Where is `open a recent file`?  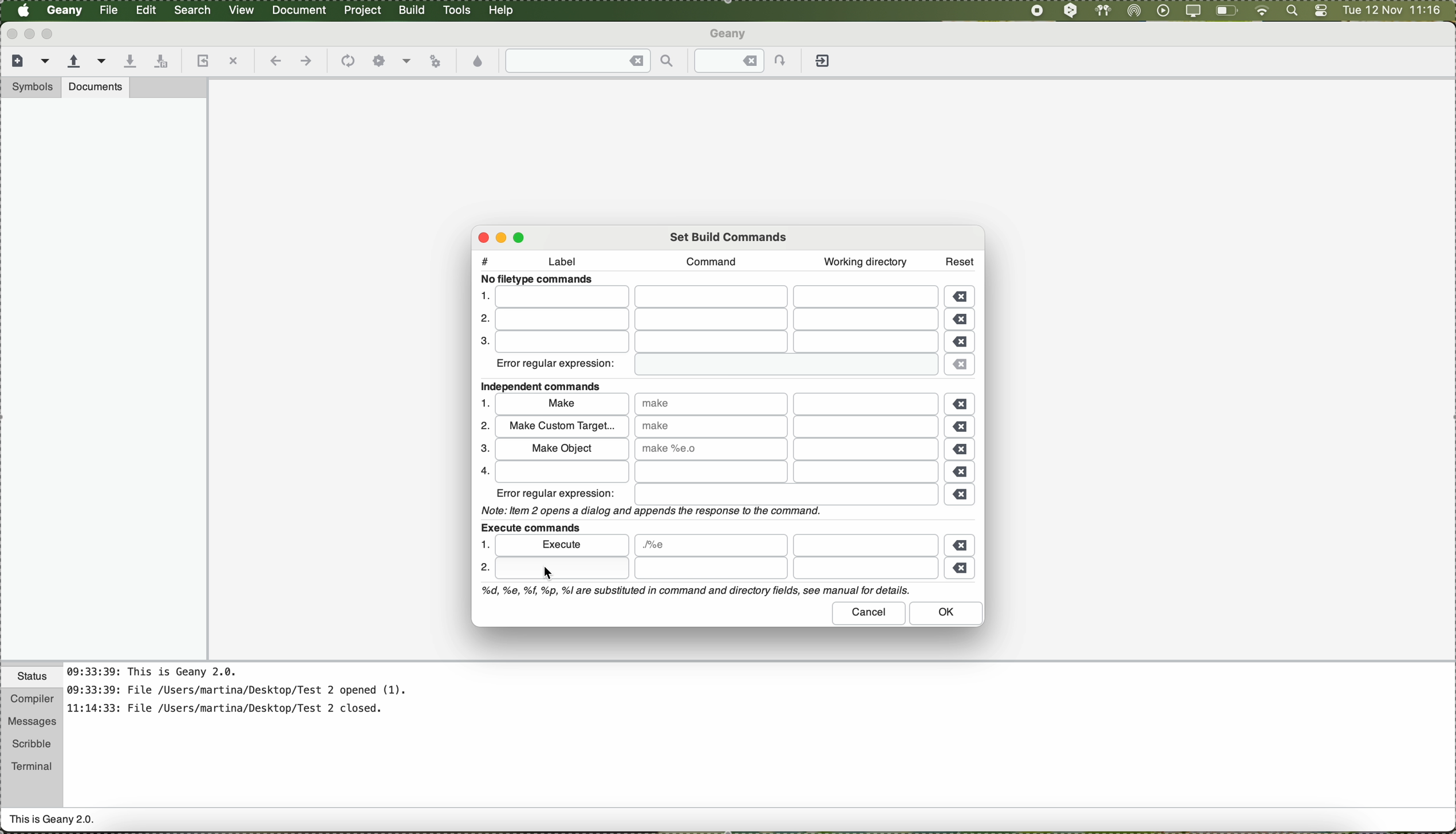 open a recent file is located at coordinates (102, 61).